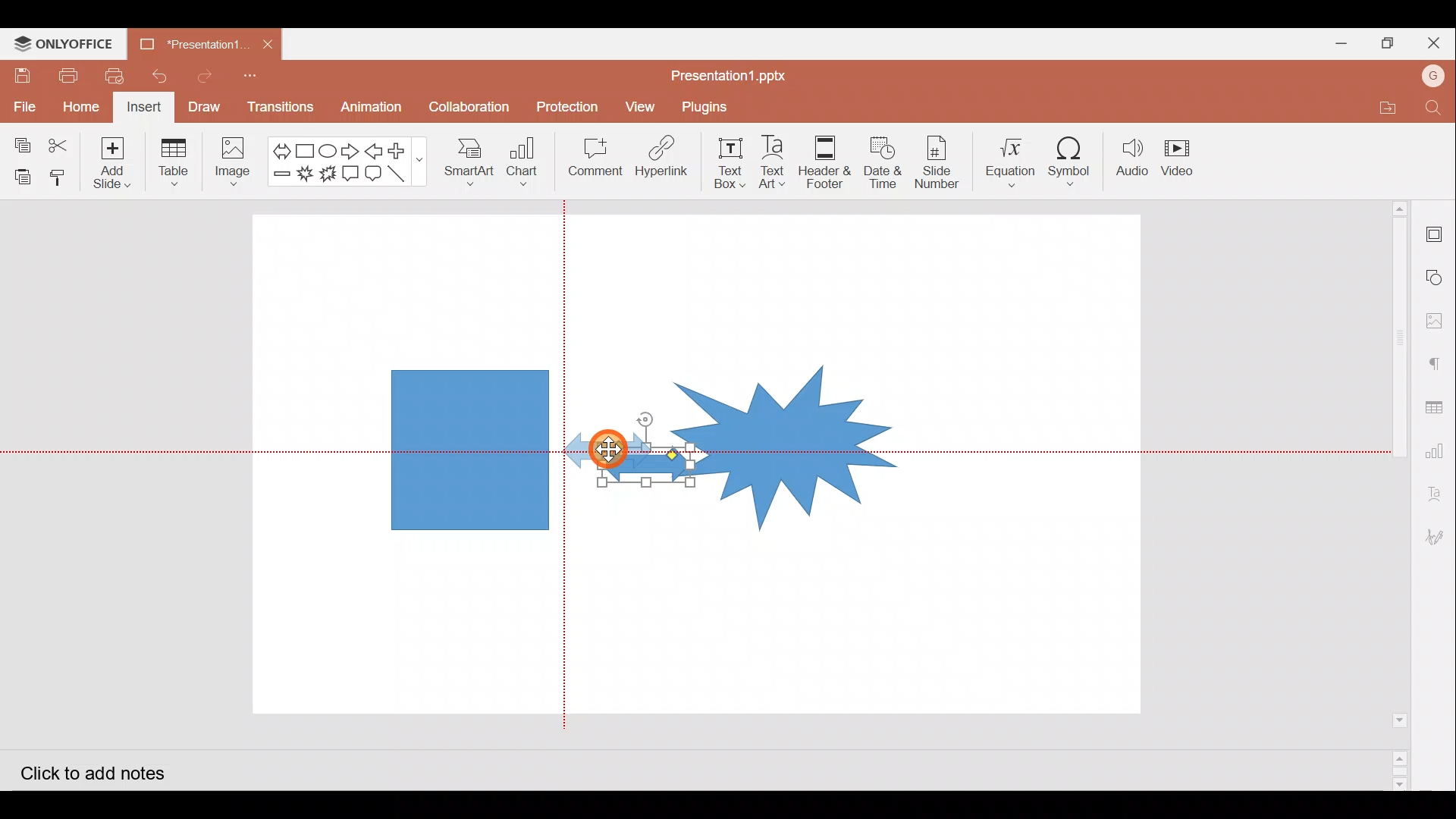 This screenshot has width=1456, height=819. Describe the element at coordinates (376, 171) in the screenshot. I see `Rounded Rectangular callout` at that location.